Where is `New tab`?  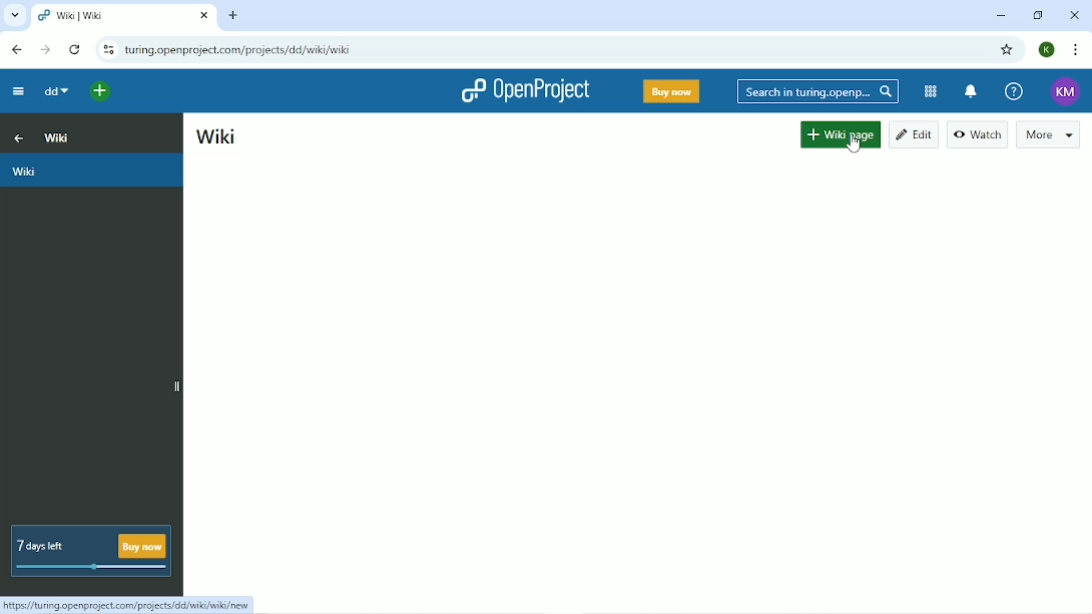 New tab is located at coordinates (232, 16).